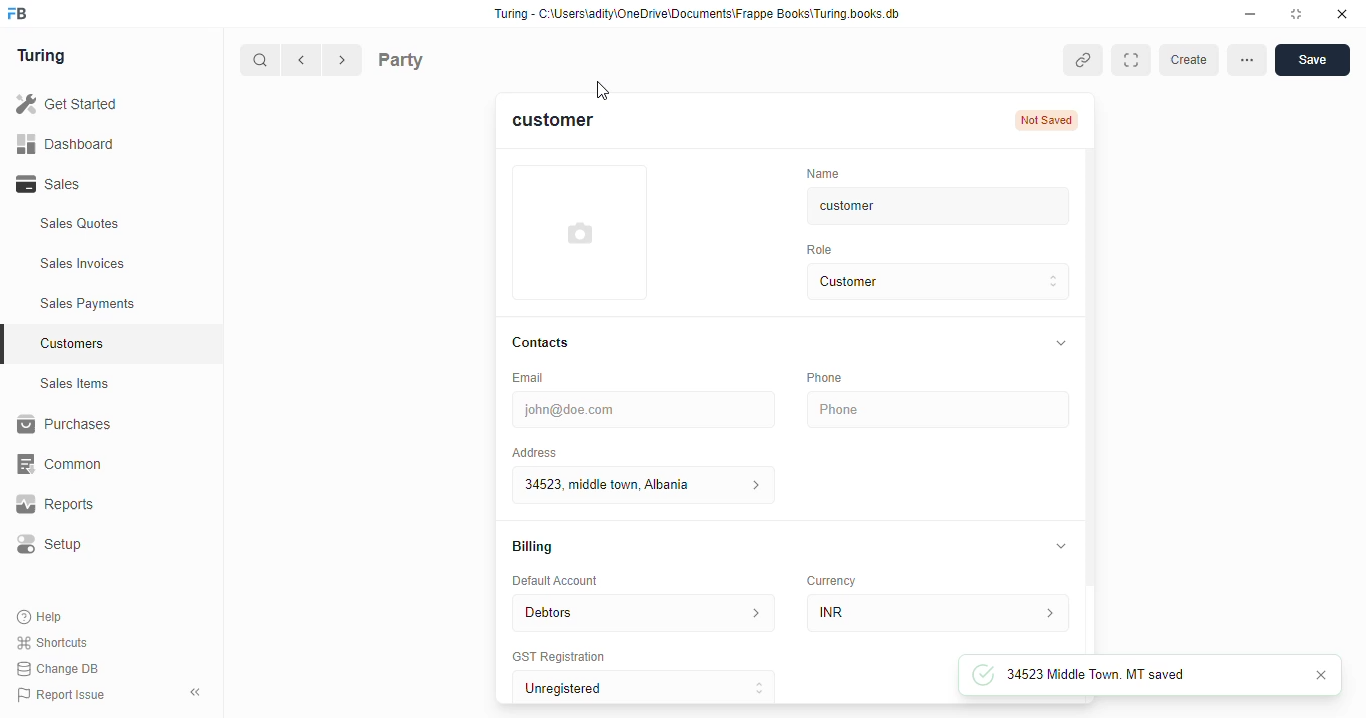 The image size is (1366, 718). I want to click on Currency, so click(830, 581).